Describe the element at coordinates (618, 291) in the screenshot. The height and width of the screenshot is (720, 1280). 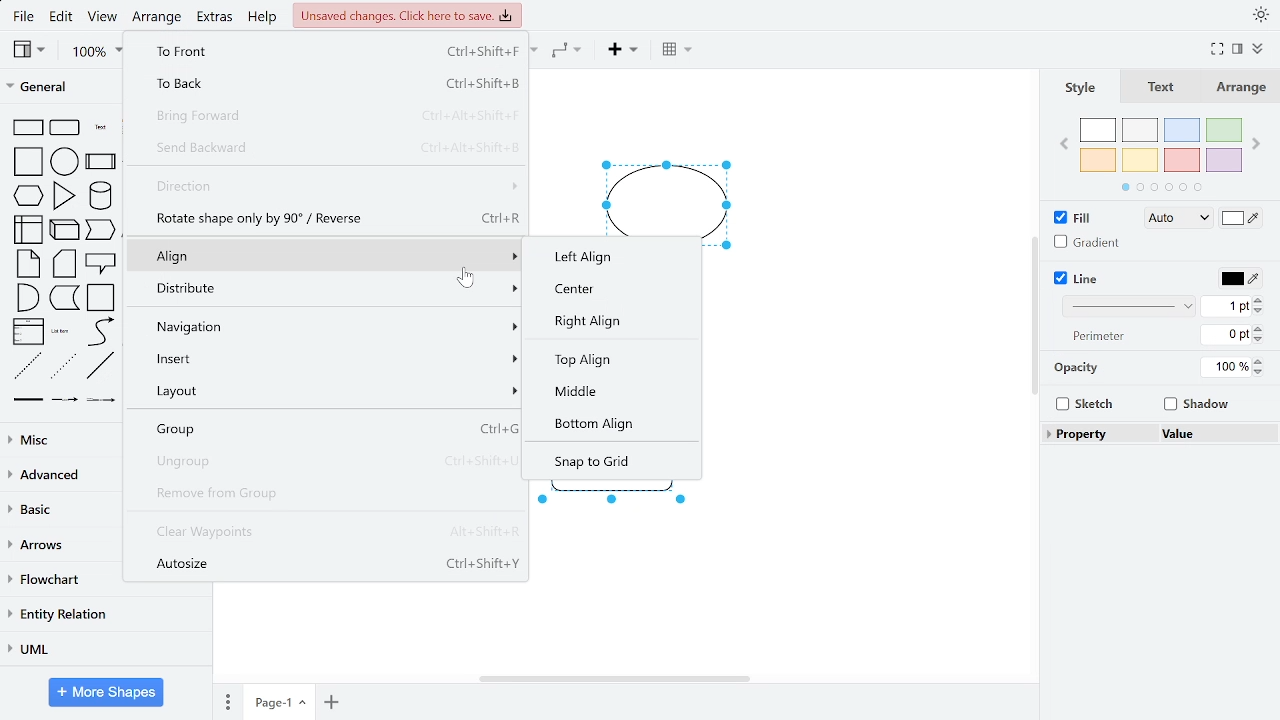
I see `center` at that location.